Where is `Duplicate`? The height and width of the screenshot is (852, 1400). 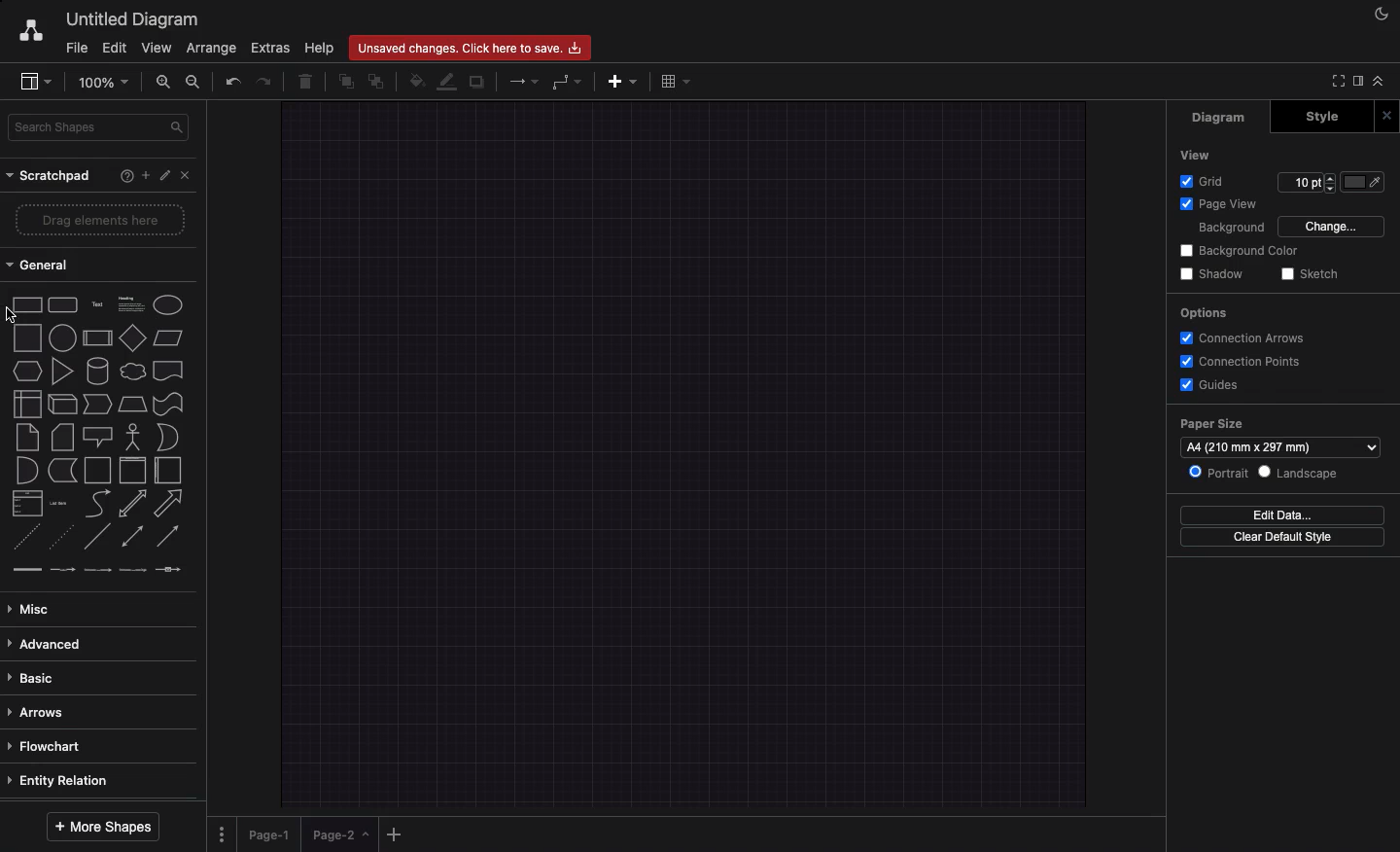 Duplicate is located at coordinates (479, 79).